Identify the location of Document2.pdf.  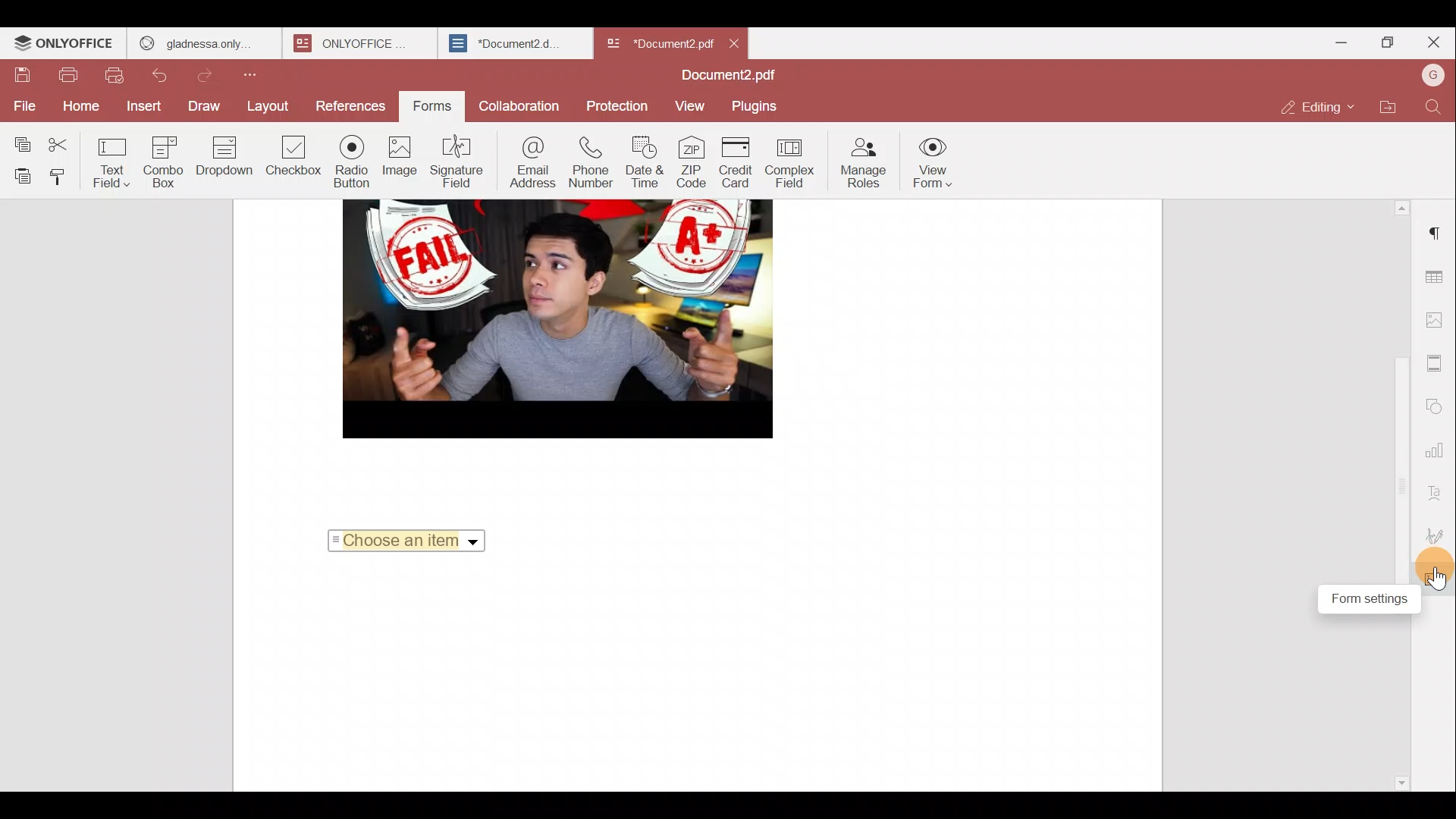
(728, 75).